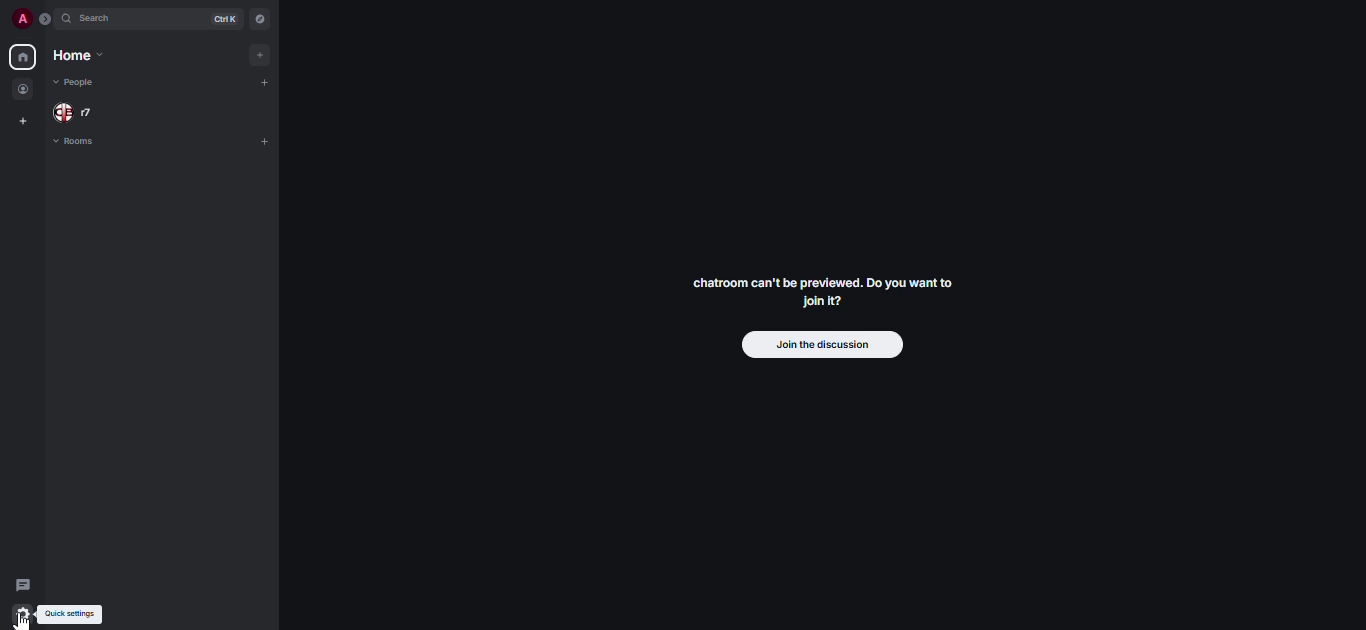 This screenshot has height=630, width=1366. What do you see at coordinates (43, 19) in the screenshot?
I see `expand` at bounding box center [43, 19].